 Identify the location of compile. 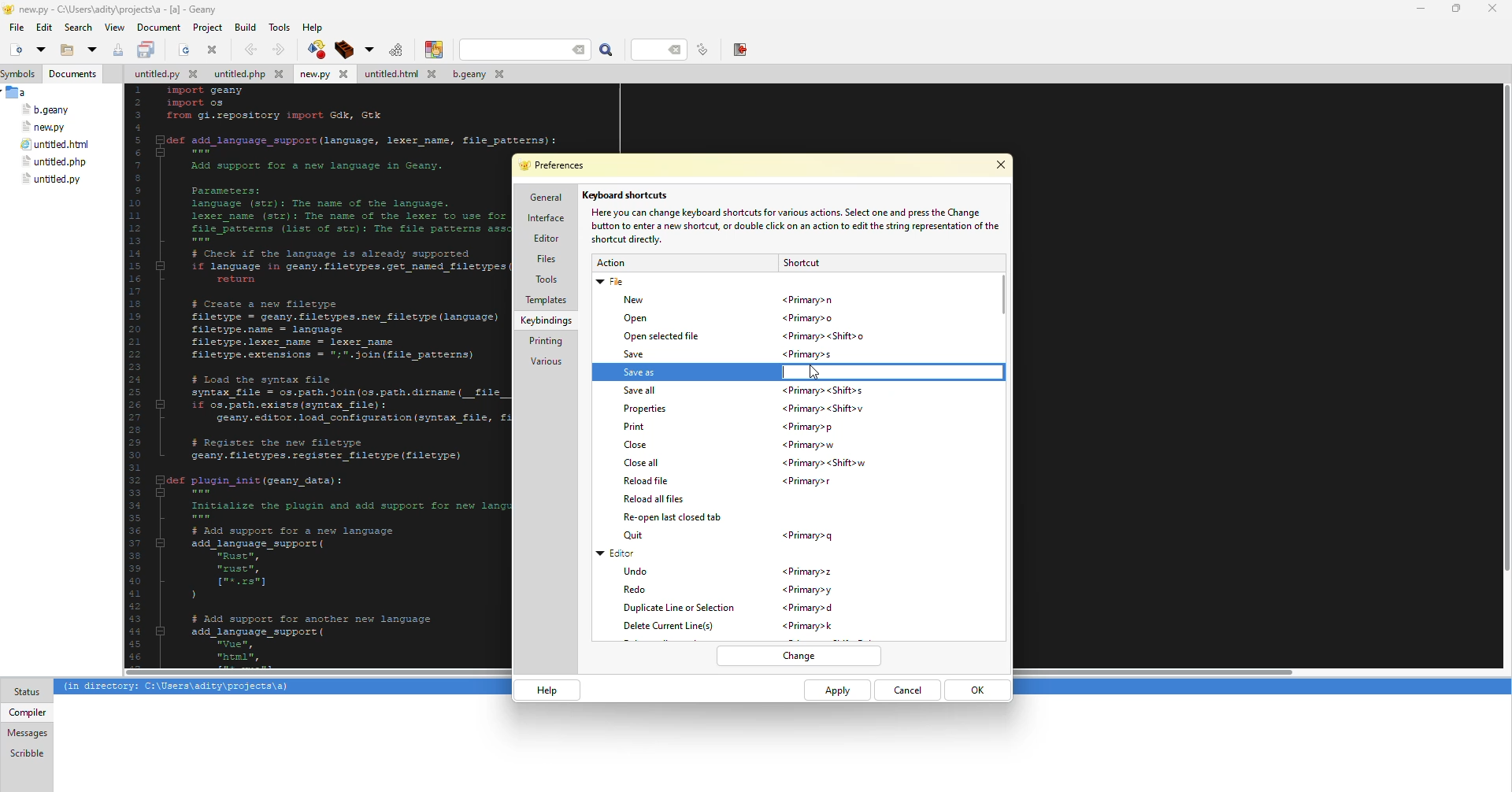
(314, 49).